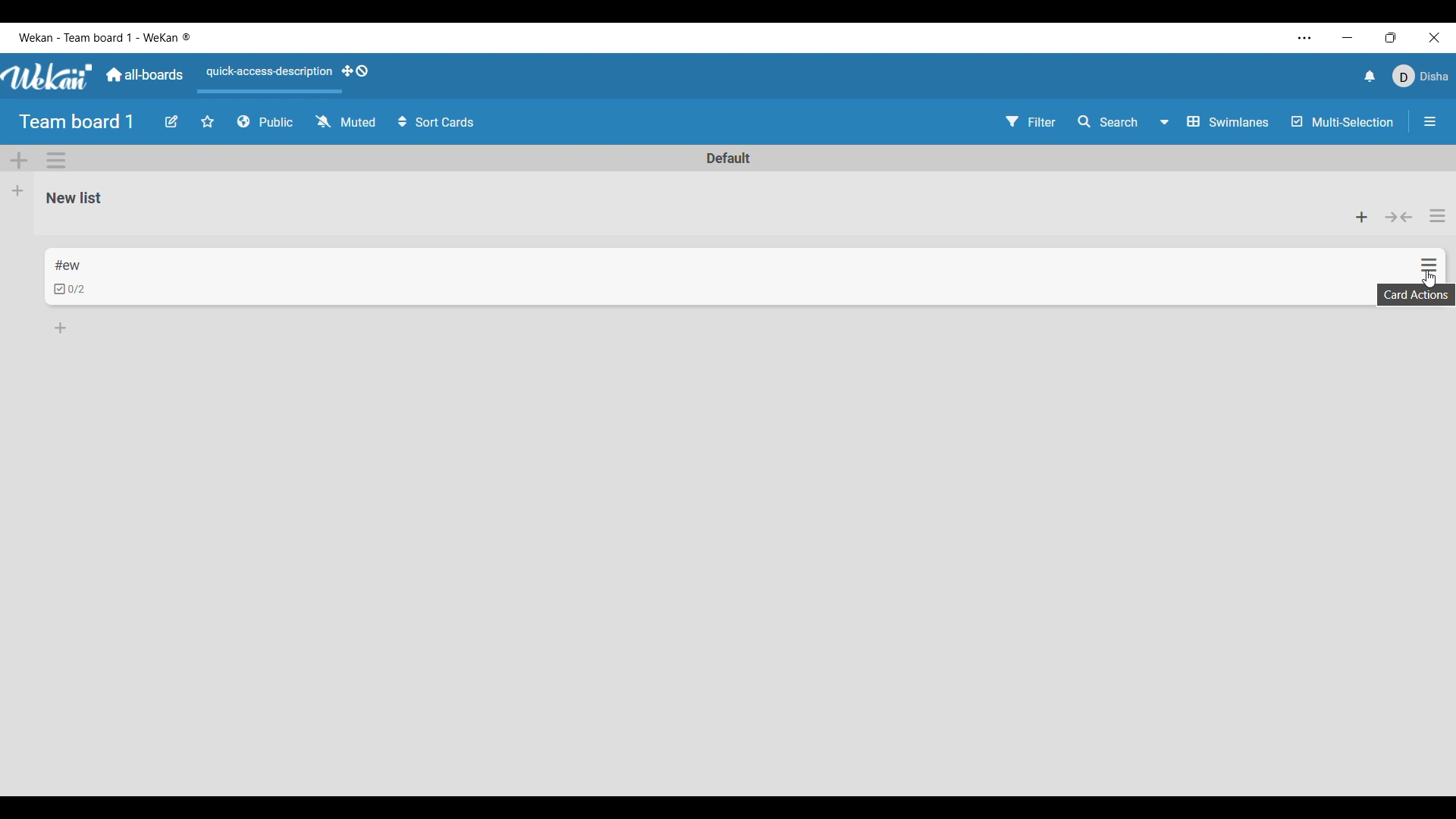  I want to click on Swimlane name, so click(729, 158).